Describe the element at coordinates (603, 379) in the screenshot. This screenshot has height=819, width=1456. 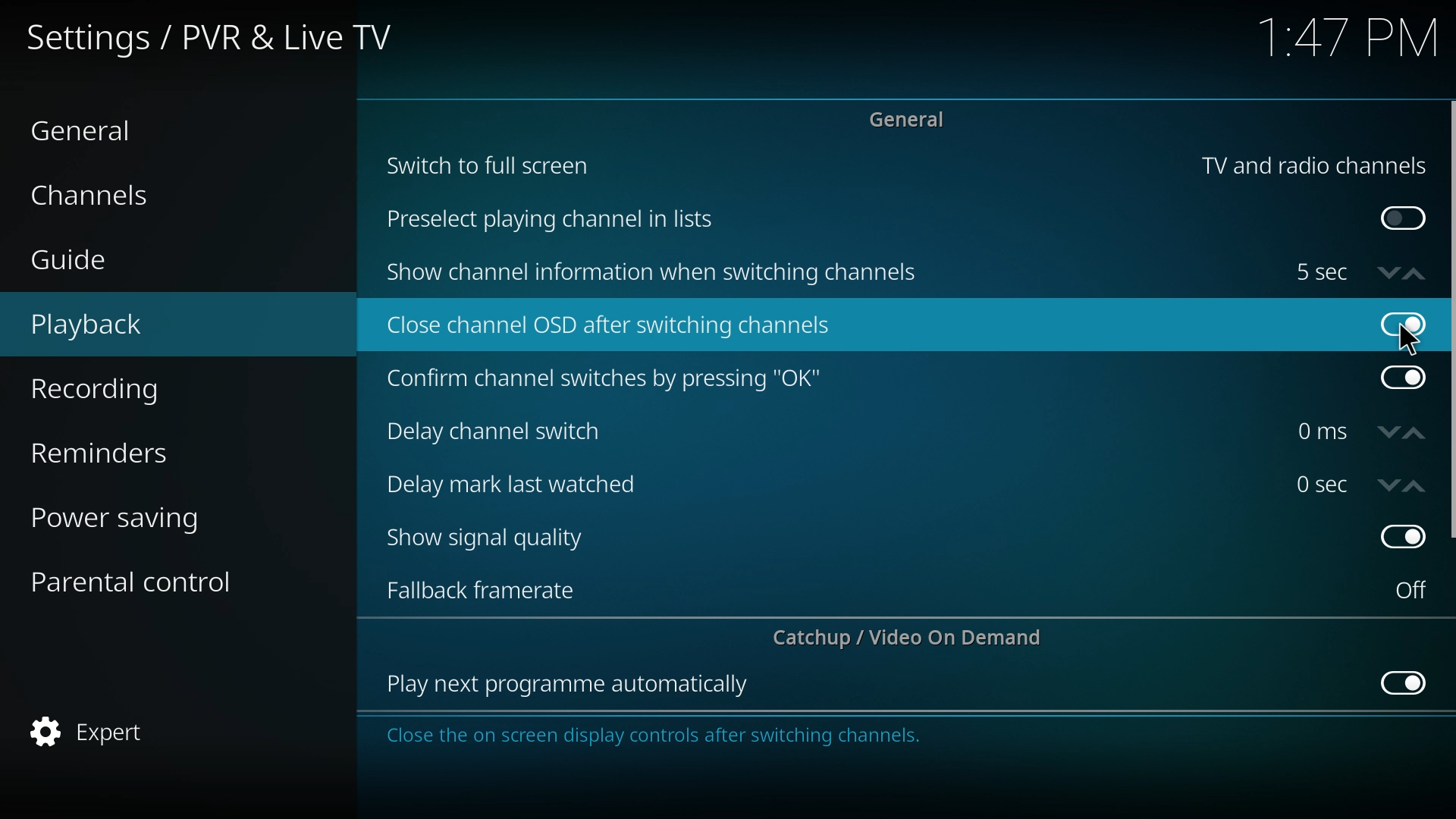
I see `confirm channel switches by pressing ok` at that location.